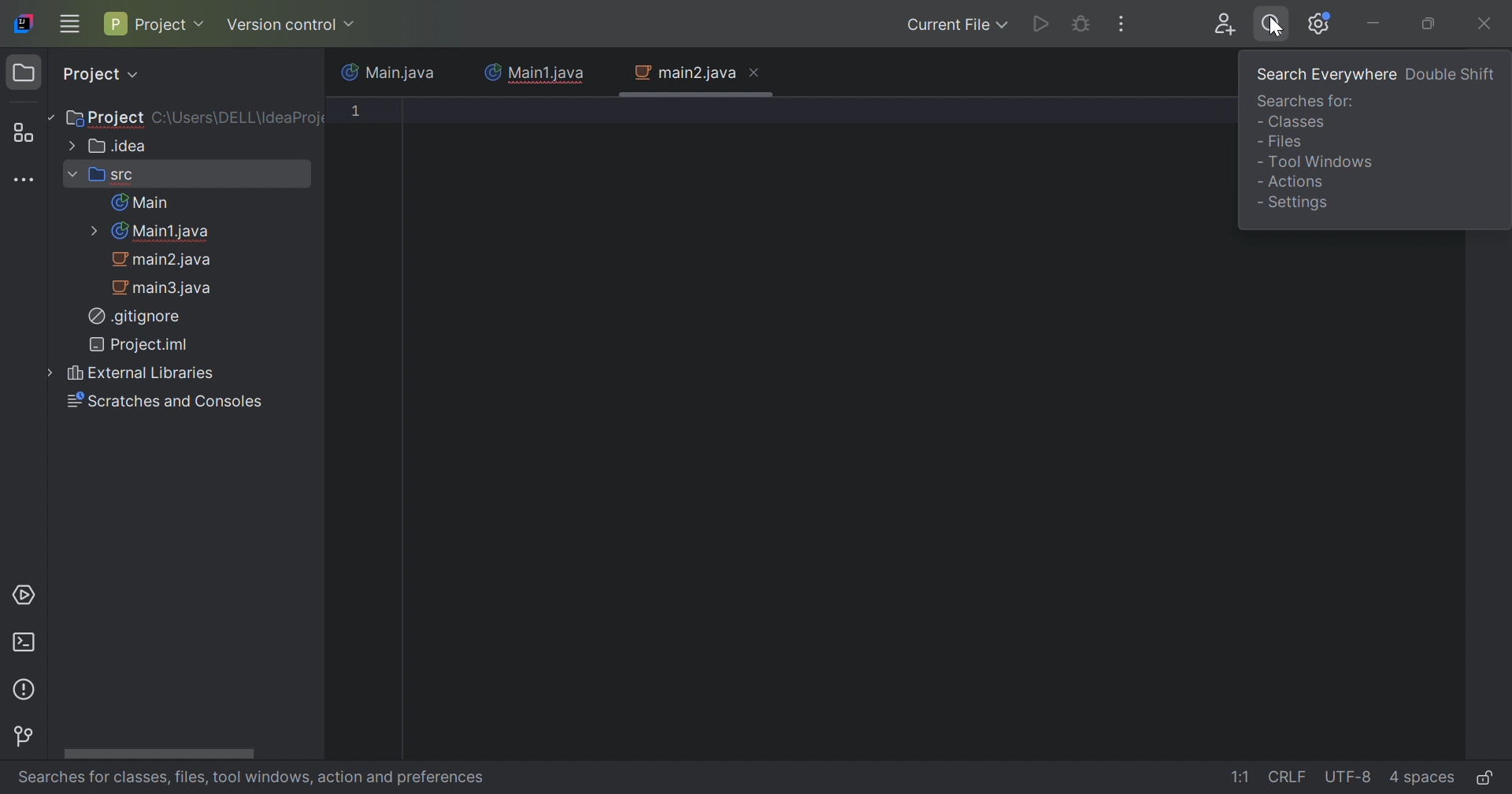 The height and width of the screenshot is (794, 1512). Describe the element at coordinates (21, 132) in the screenshot. I see `Structure` at that location.